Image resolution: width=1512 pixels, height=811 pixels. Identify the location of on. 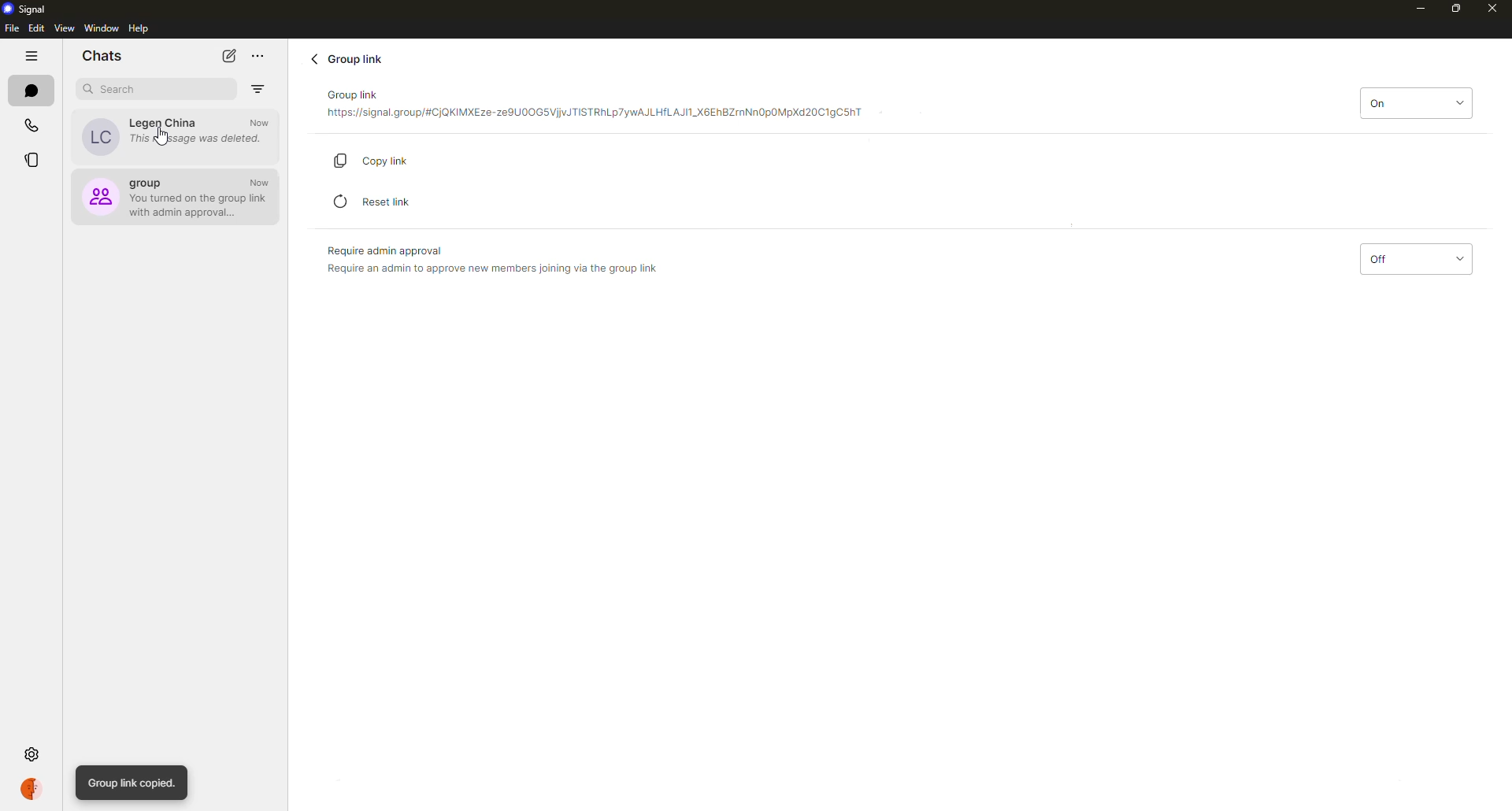
(1415, 102).